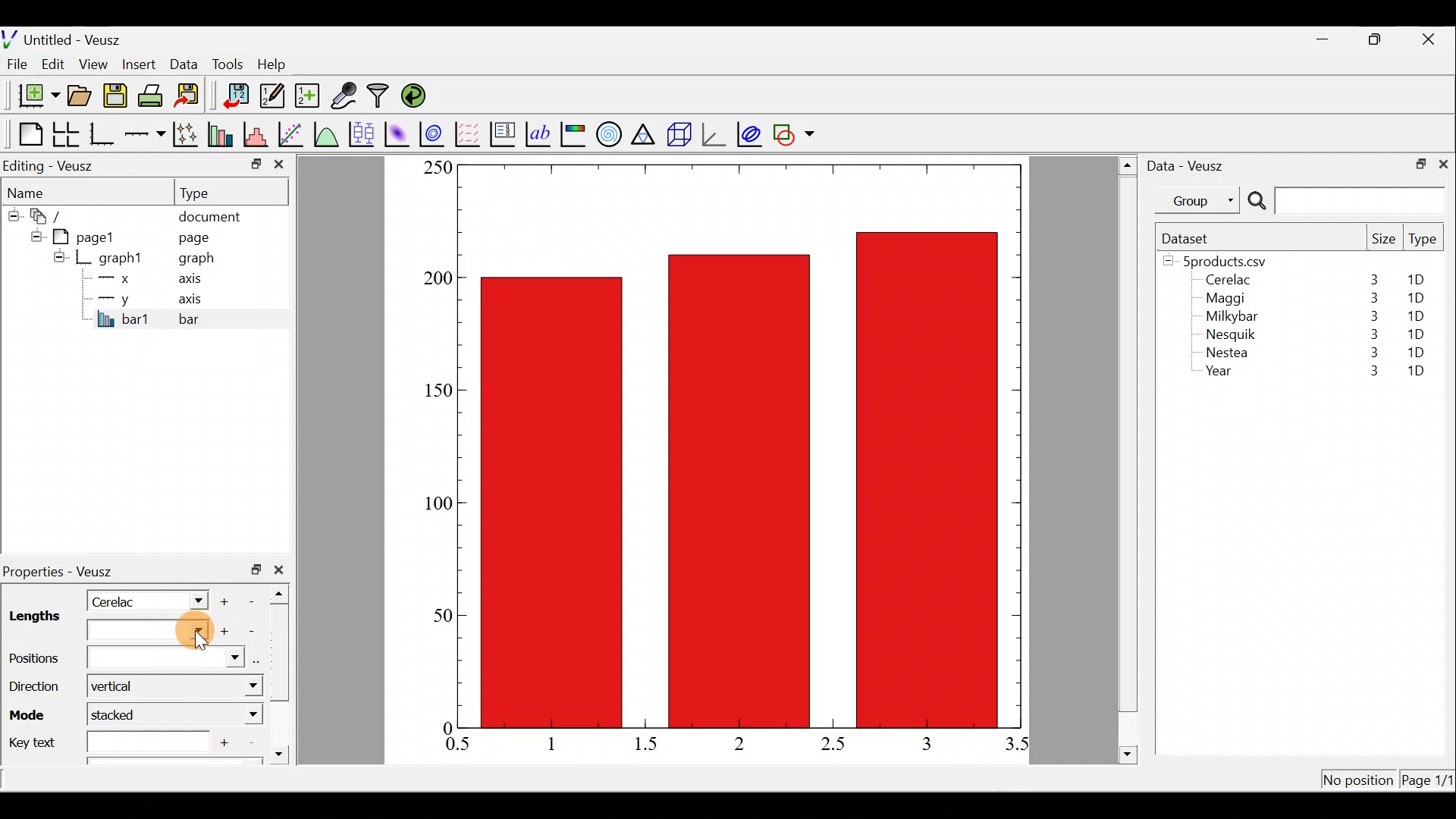  What do you see at coordinates (437, 391) in the screenshot?
I see `150` at bounding box center [437, 391].